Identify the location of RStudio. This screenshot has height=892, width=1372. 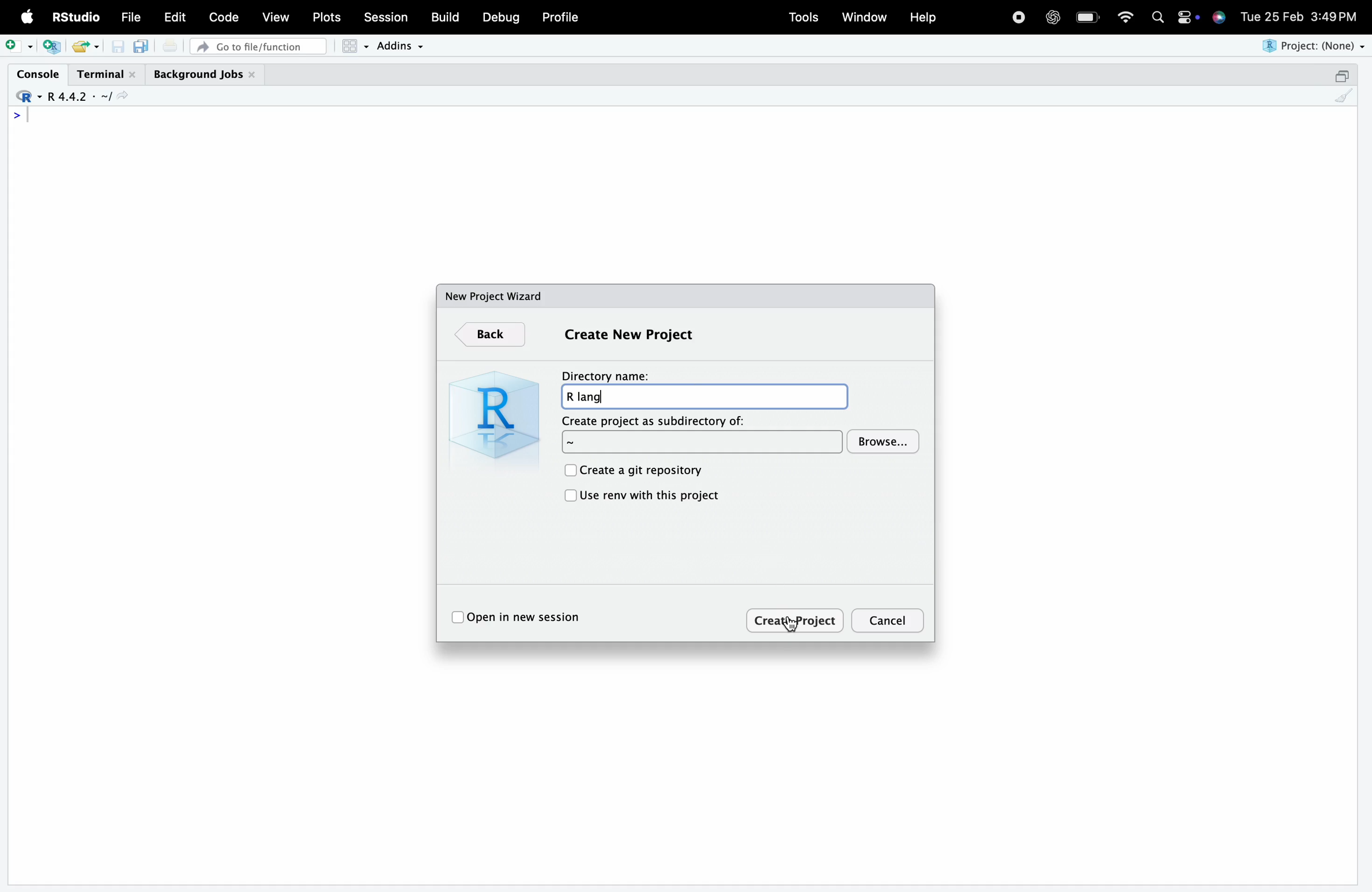
(74, 17).